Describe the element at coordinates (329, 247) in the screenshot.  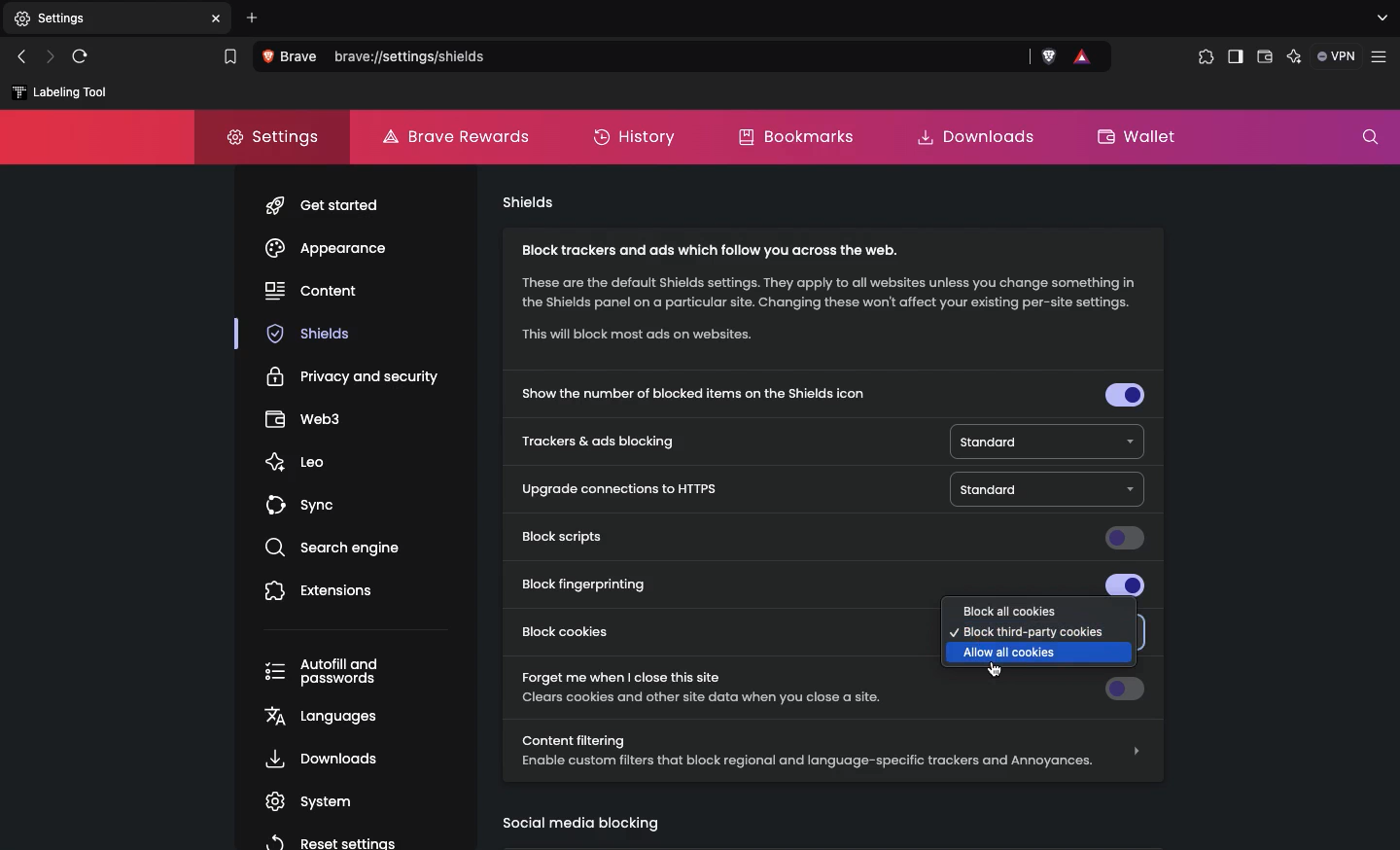
I see `Appearance` at that location.